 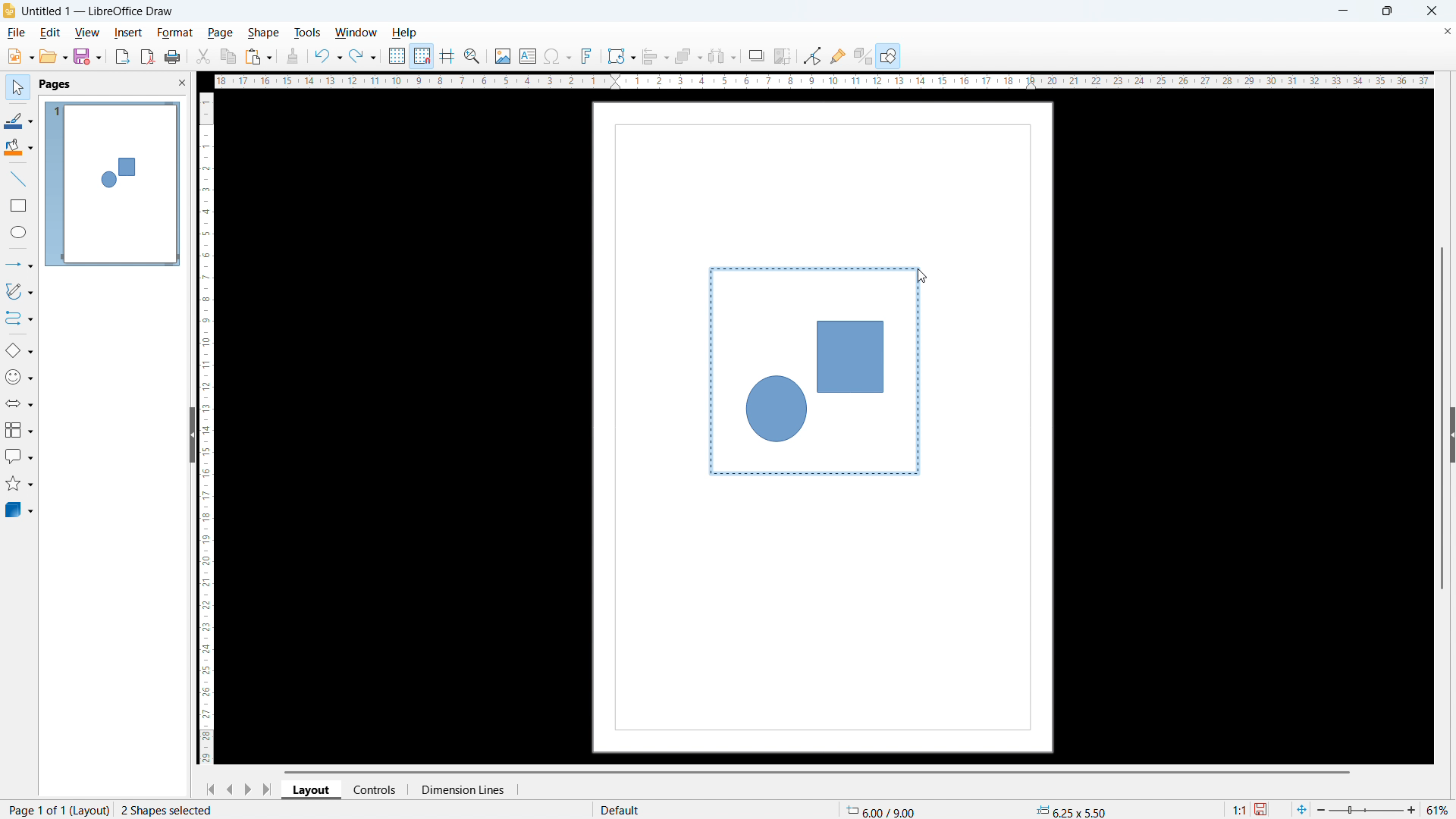 What do you see at coordinates (193, 435) in the screenshot?
I see `hide pane` at bounding box center [193, 435].